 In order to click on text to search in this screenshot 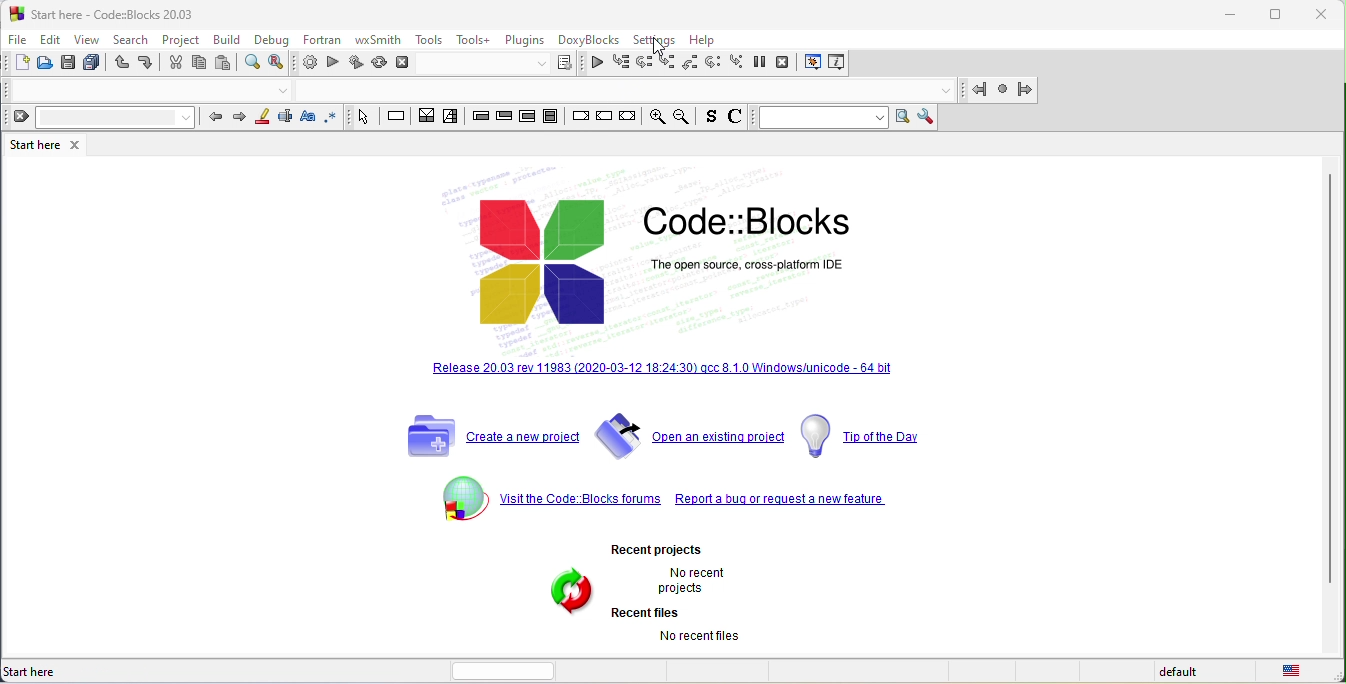, I will do `click(827, 116)`.